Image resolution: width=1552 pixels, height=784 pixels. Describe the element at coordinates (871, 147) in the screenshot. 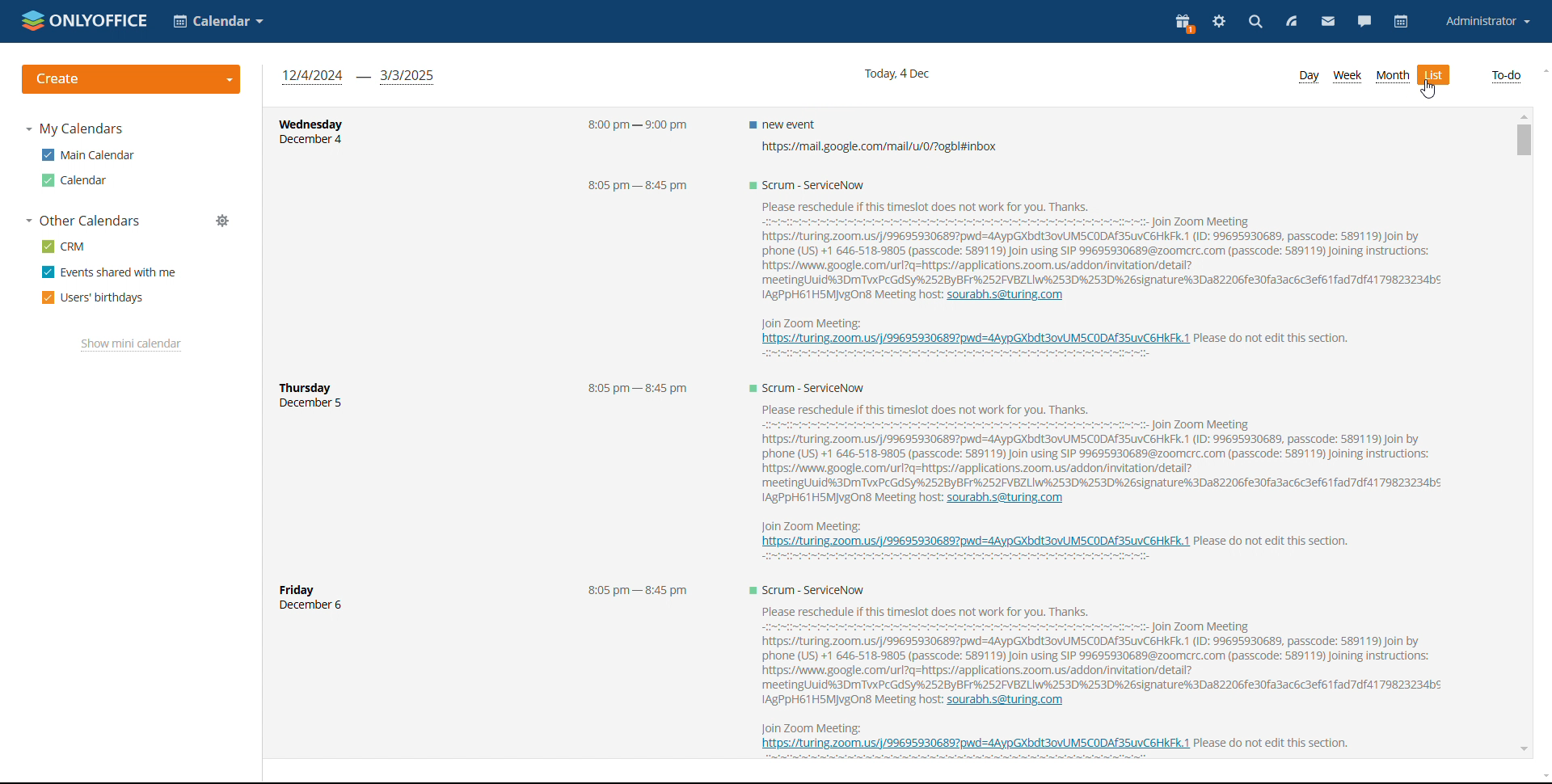

I see `https://mail.google.com/mail/u/0/?ogbl#inbox` at that location.